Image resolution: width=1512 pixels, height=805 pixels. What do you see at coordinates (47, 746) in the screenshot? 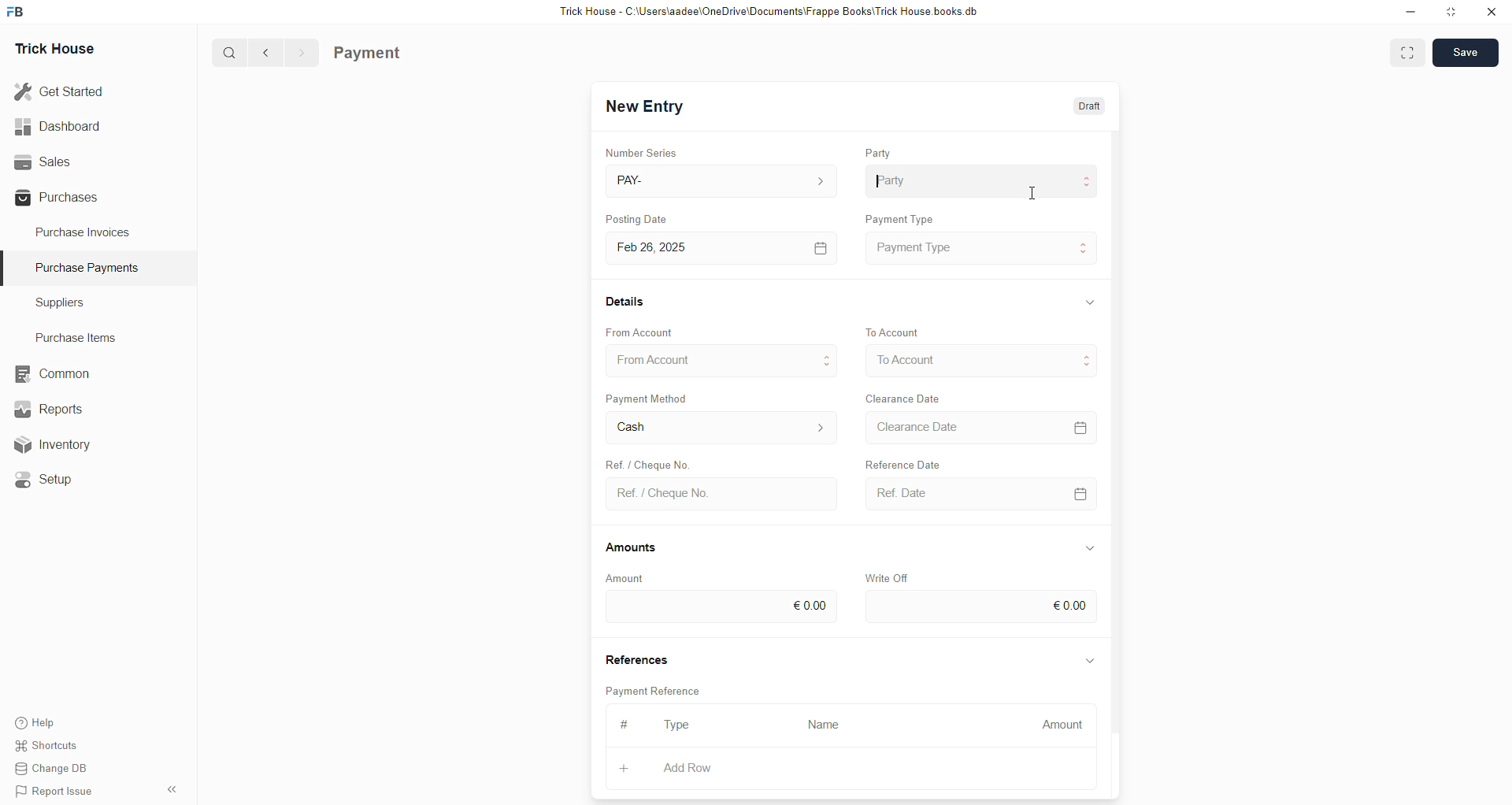
I see `Shortcuts` at bounding box center [47, 746].